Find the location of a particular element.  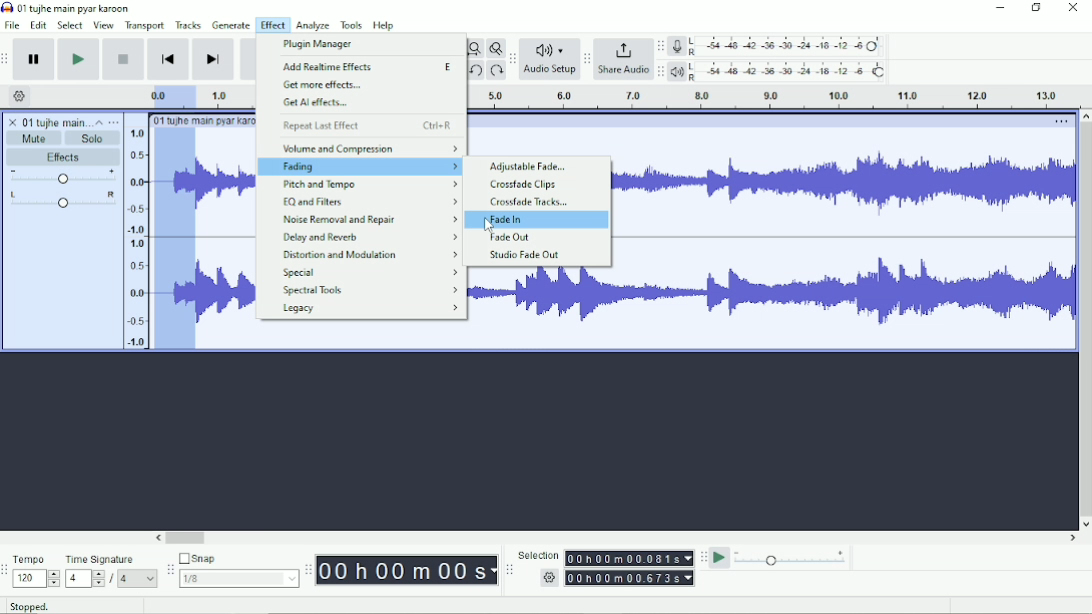

01 tujhe main is located at coordinates (56, 123).